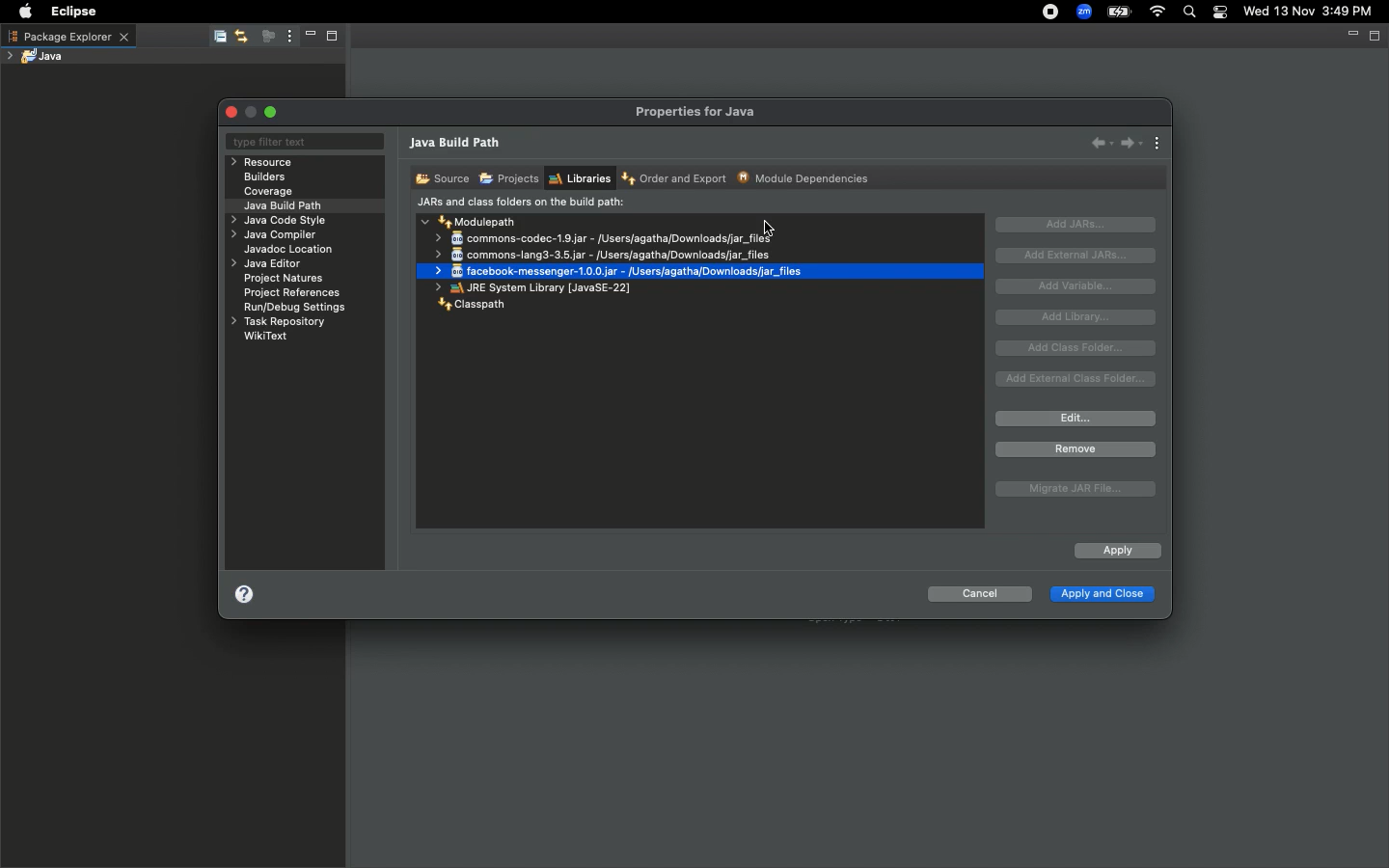 The height and width of the screenshot is (868, 1389). Describe the element at coordinates (1158, 13) in the screenshot. I see `Internet` at that location.